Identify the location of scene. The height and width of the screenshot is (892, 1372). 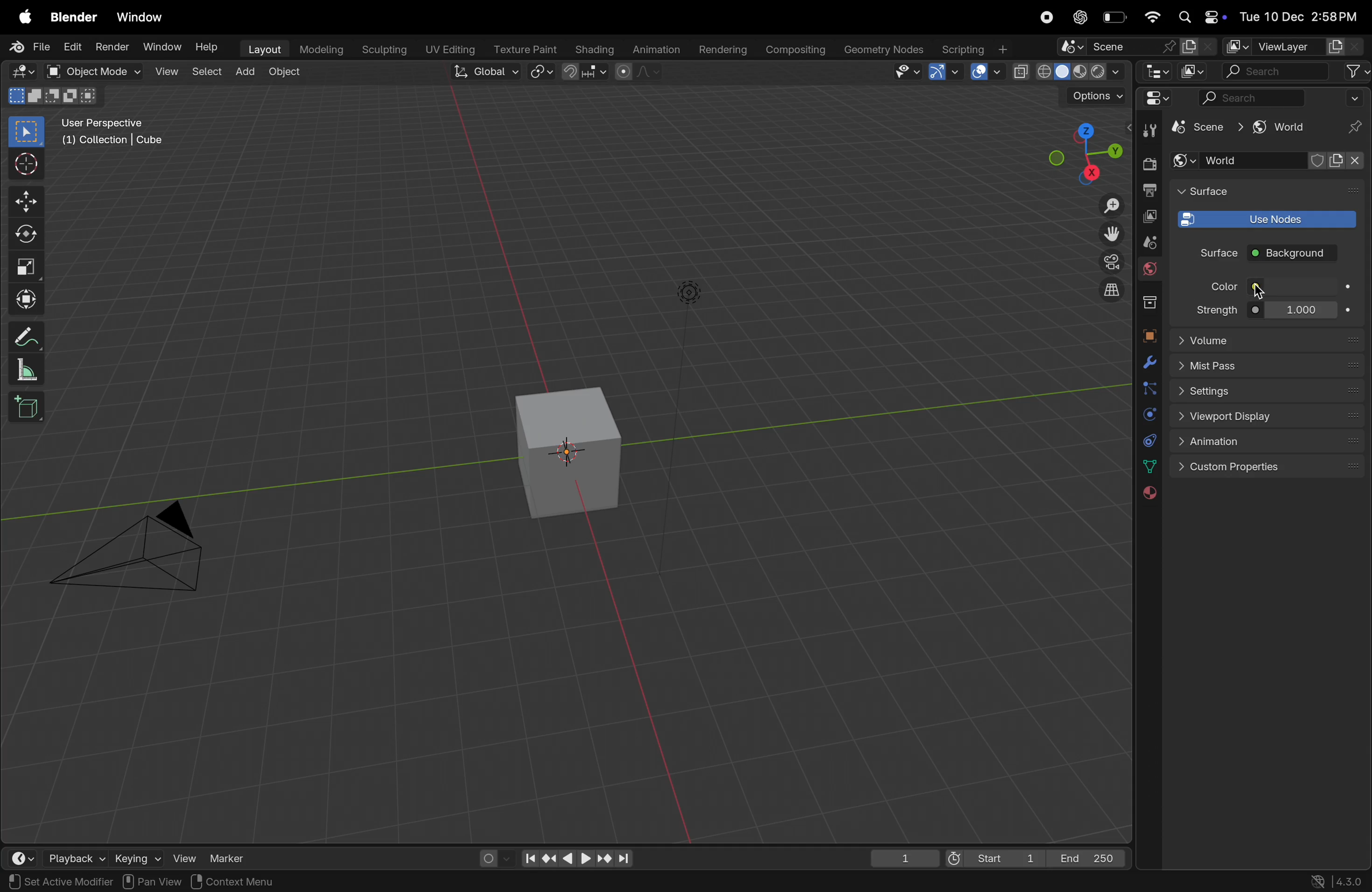
(1134, 48).